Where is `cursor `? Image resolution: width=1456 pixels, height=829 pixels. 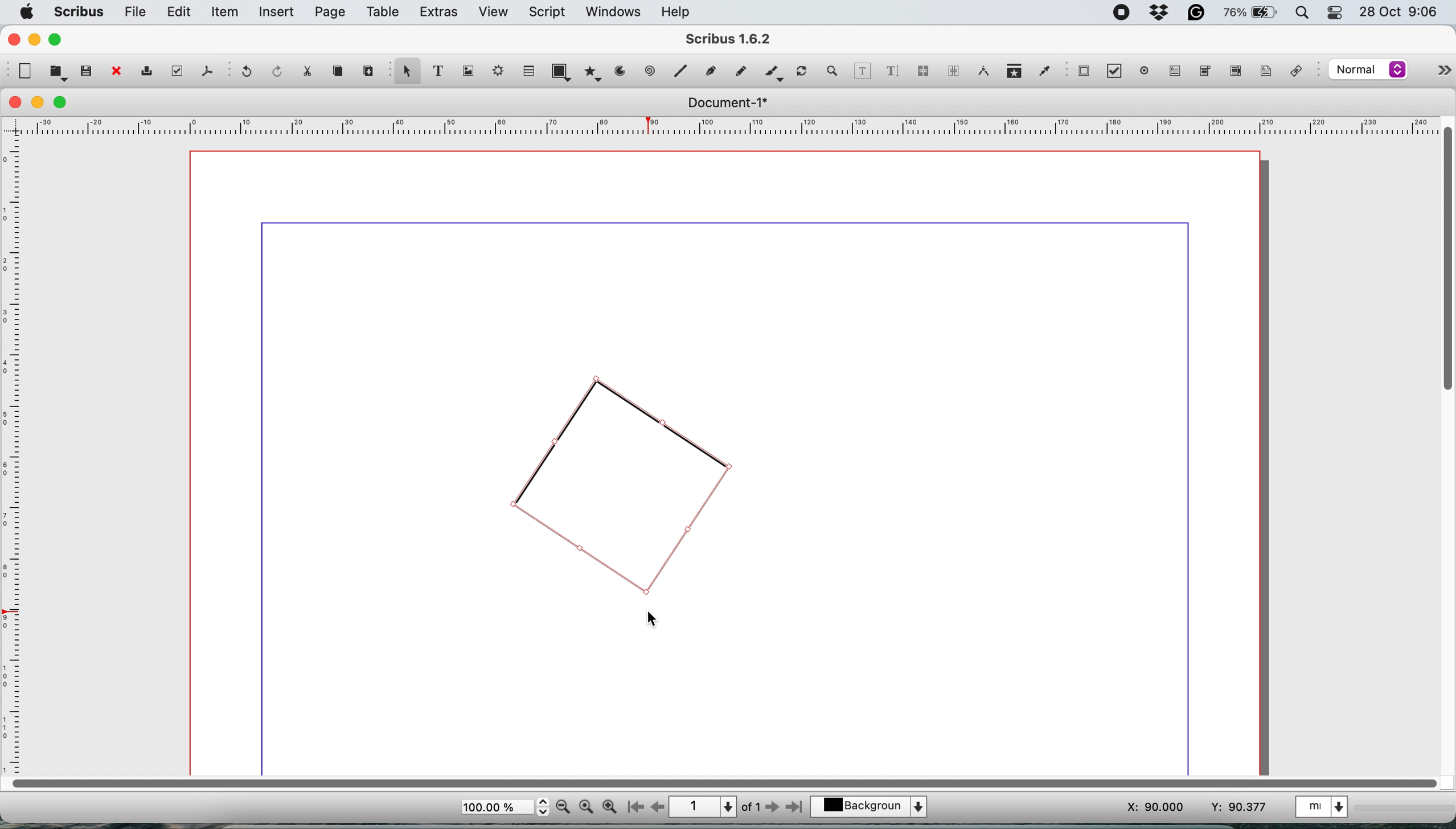
cursor  is located at coordinates (650, 615).